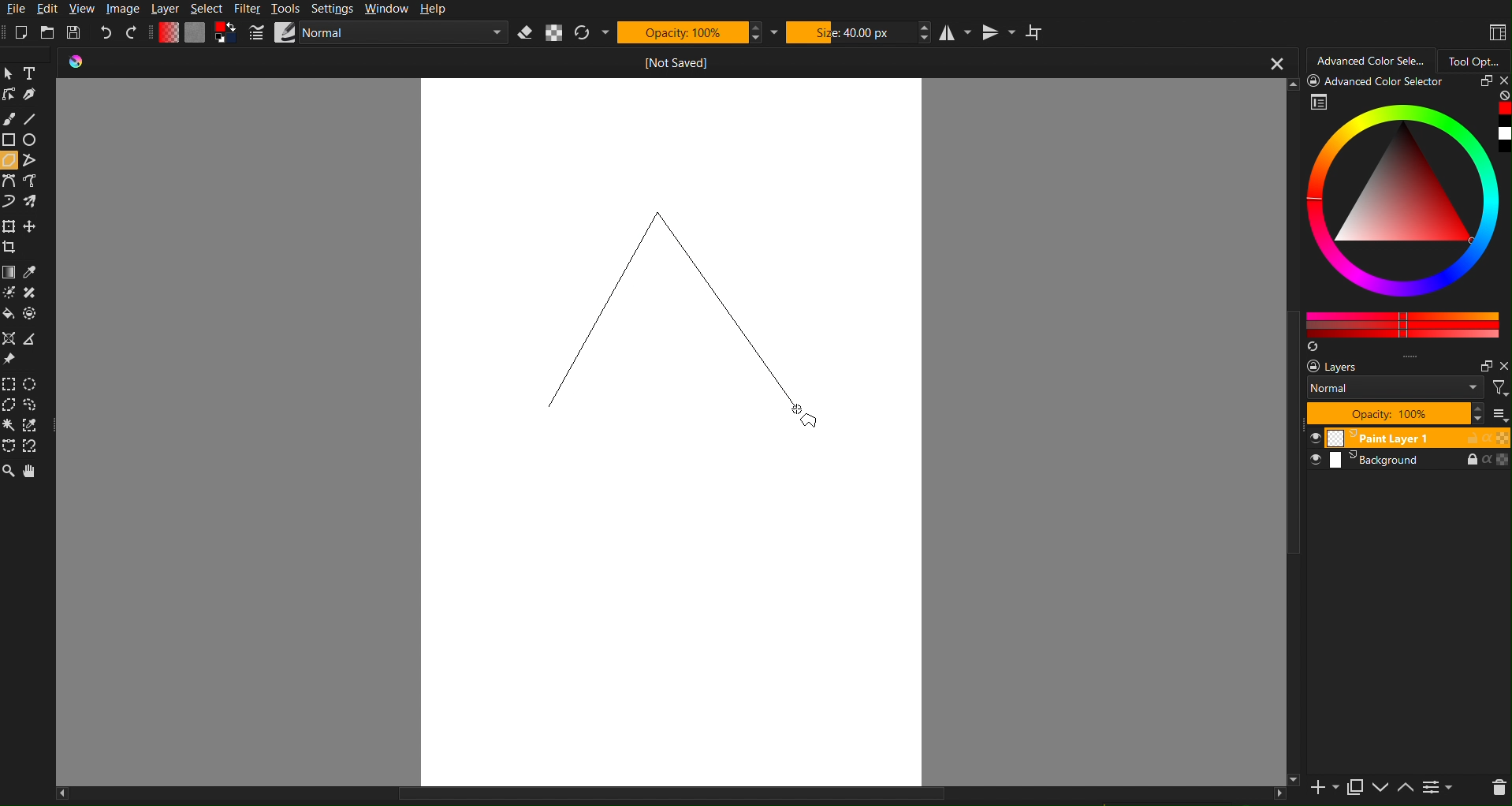 This screenshot has height=806, width=1512. I want to click on Tool Options, so click(1476, 58).